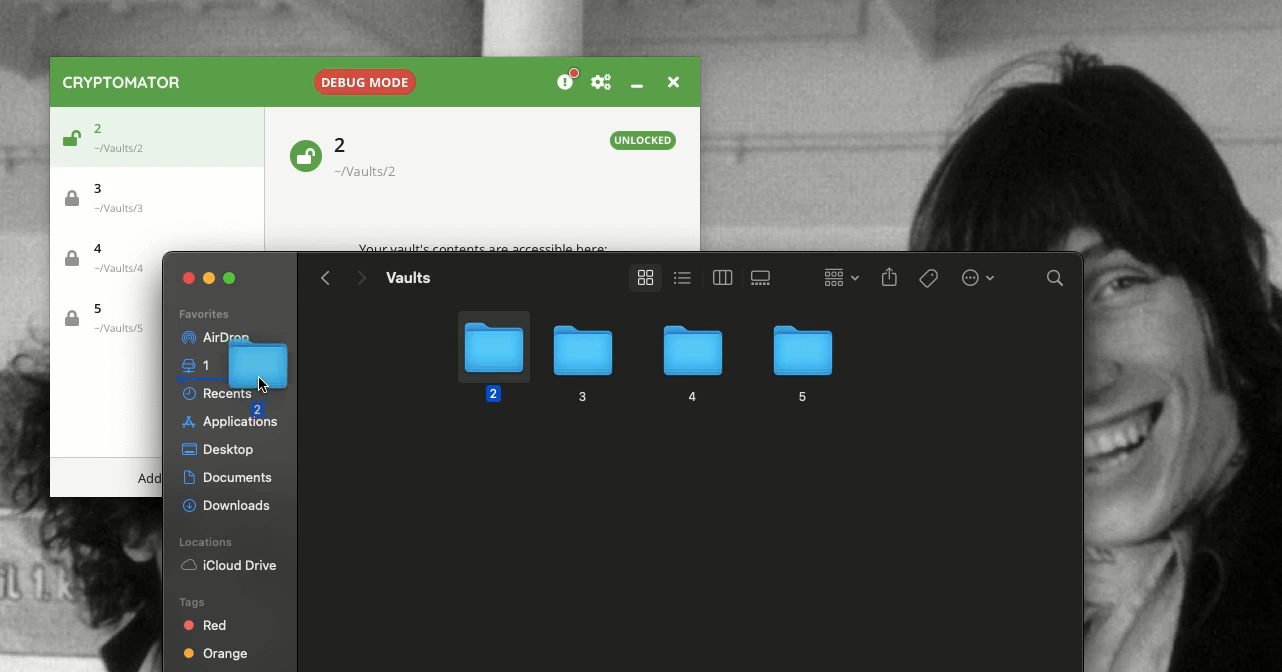  What do you see at coordinates (114, 196) in the screenshot?
I see `Vault 3` at bounding box center [114, 196].